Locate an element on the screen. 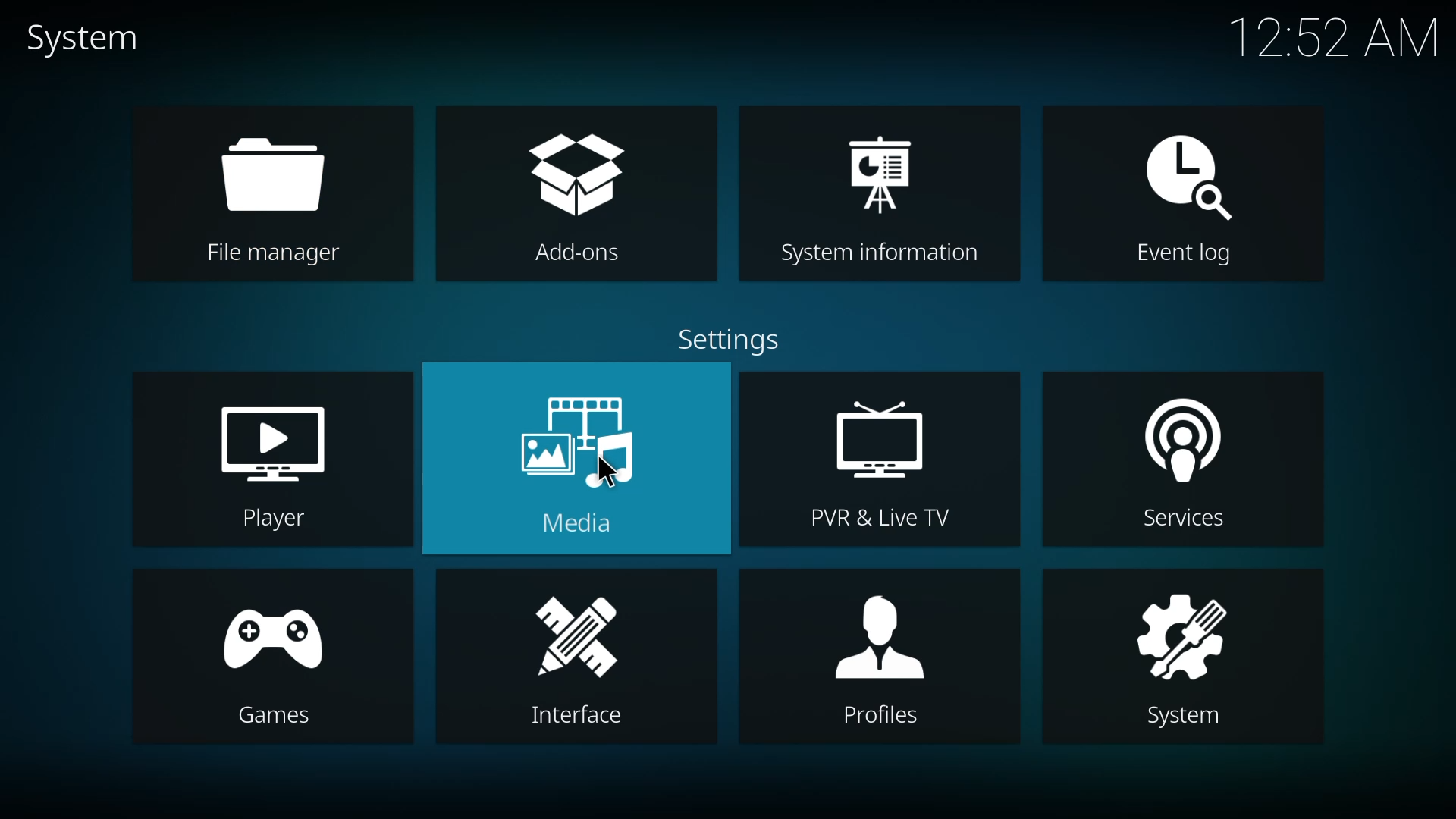 The image size is (1456, 819). Services is located at coordinates (1177, 521).